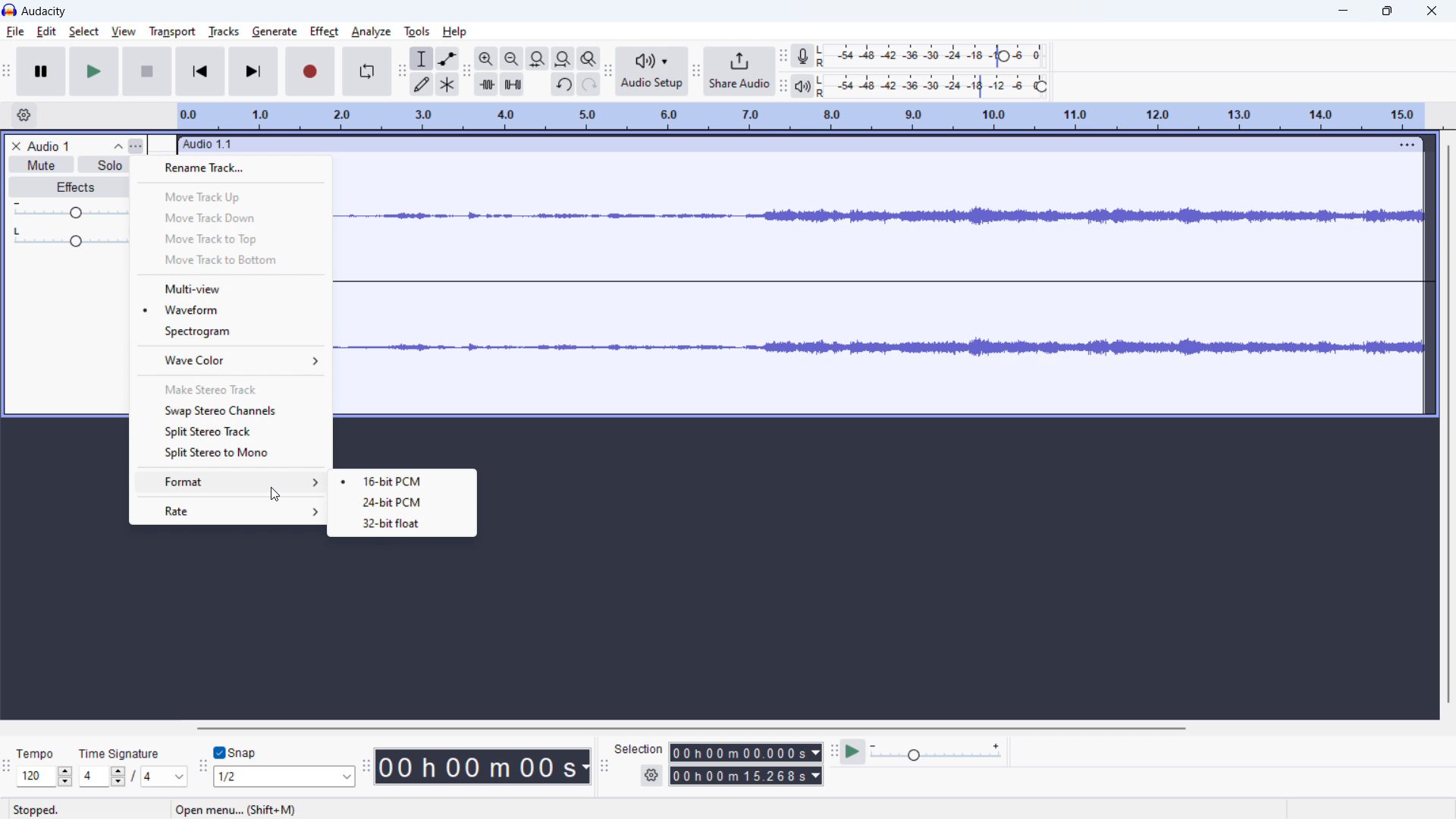  Describe the element at coordinates (72, 237) in the screenshot. I see `pan: center` at that location.